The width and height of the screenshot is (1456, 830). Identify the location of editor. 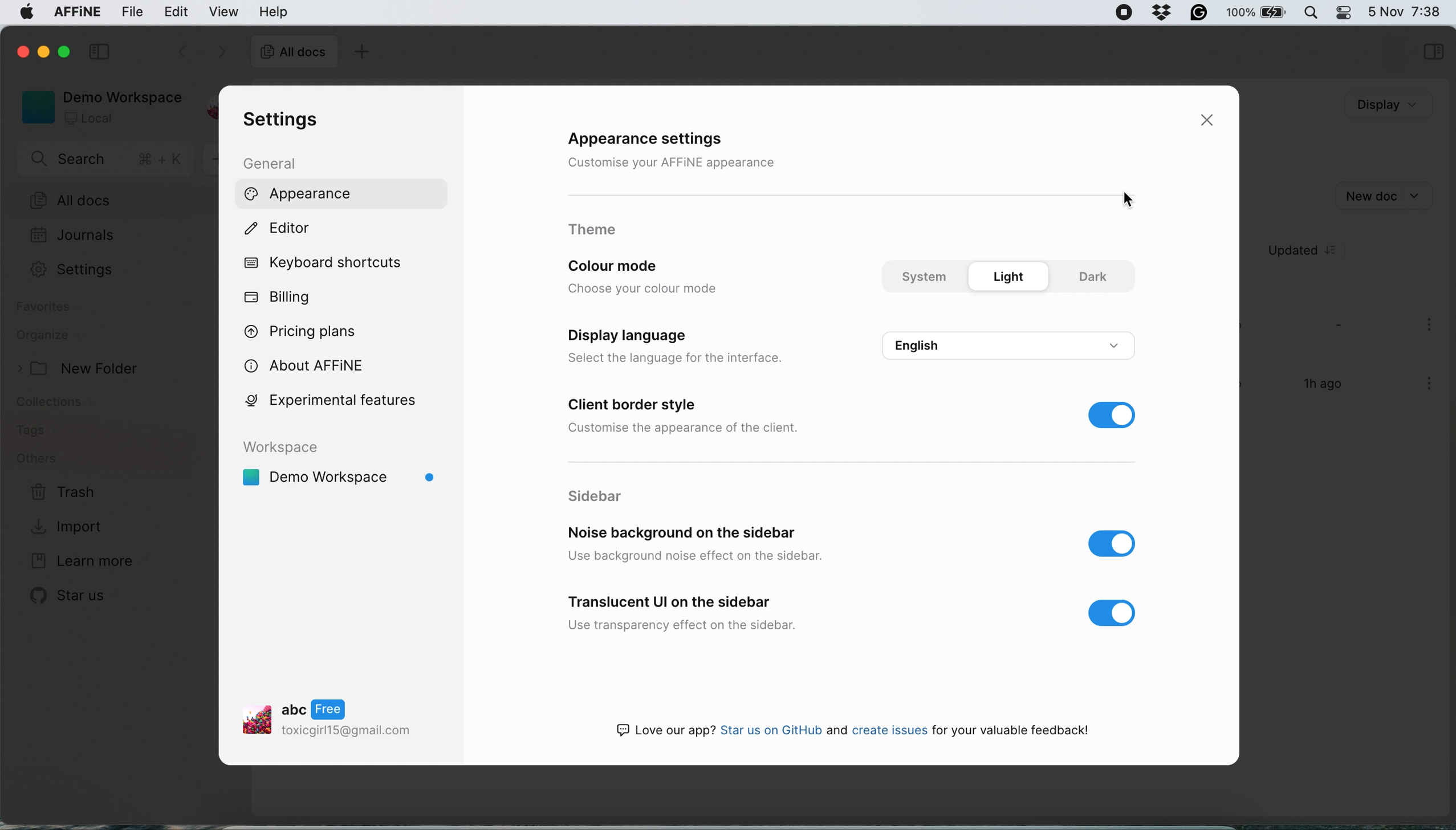
(283, 231).